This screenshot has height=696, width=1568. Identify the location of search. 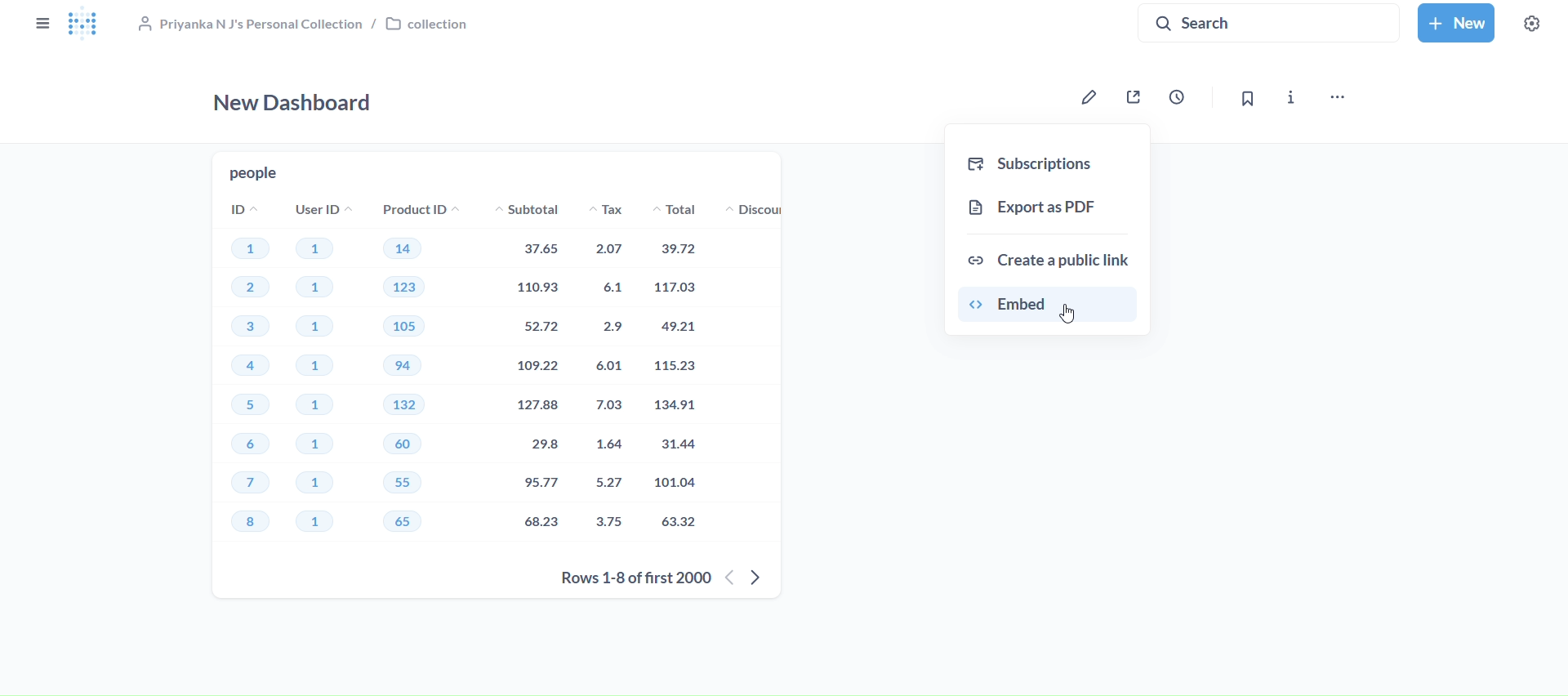
(1271, 22).